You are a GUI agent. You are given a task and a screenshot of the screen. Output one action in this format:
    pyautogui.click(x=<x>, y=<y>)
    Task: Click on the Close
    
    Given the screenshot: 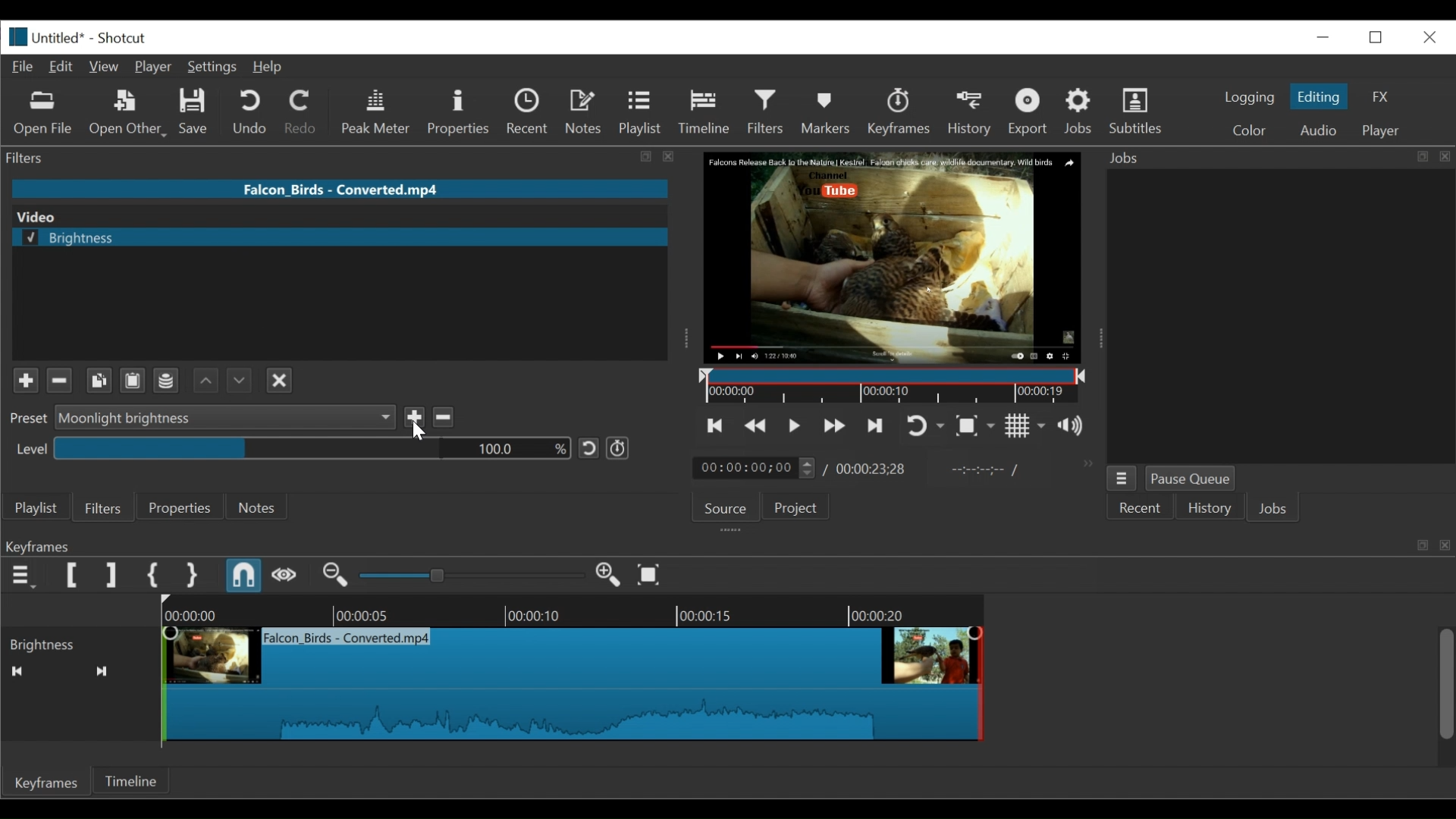 What is the action you would take?
    pyautogui.click(x=277, y=380)
    